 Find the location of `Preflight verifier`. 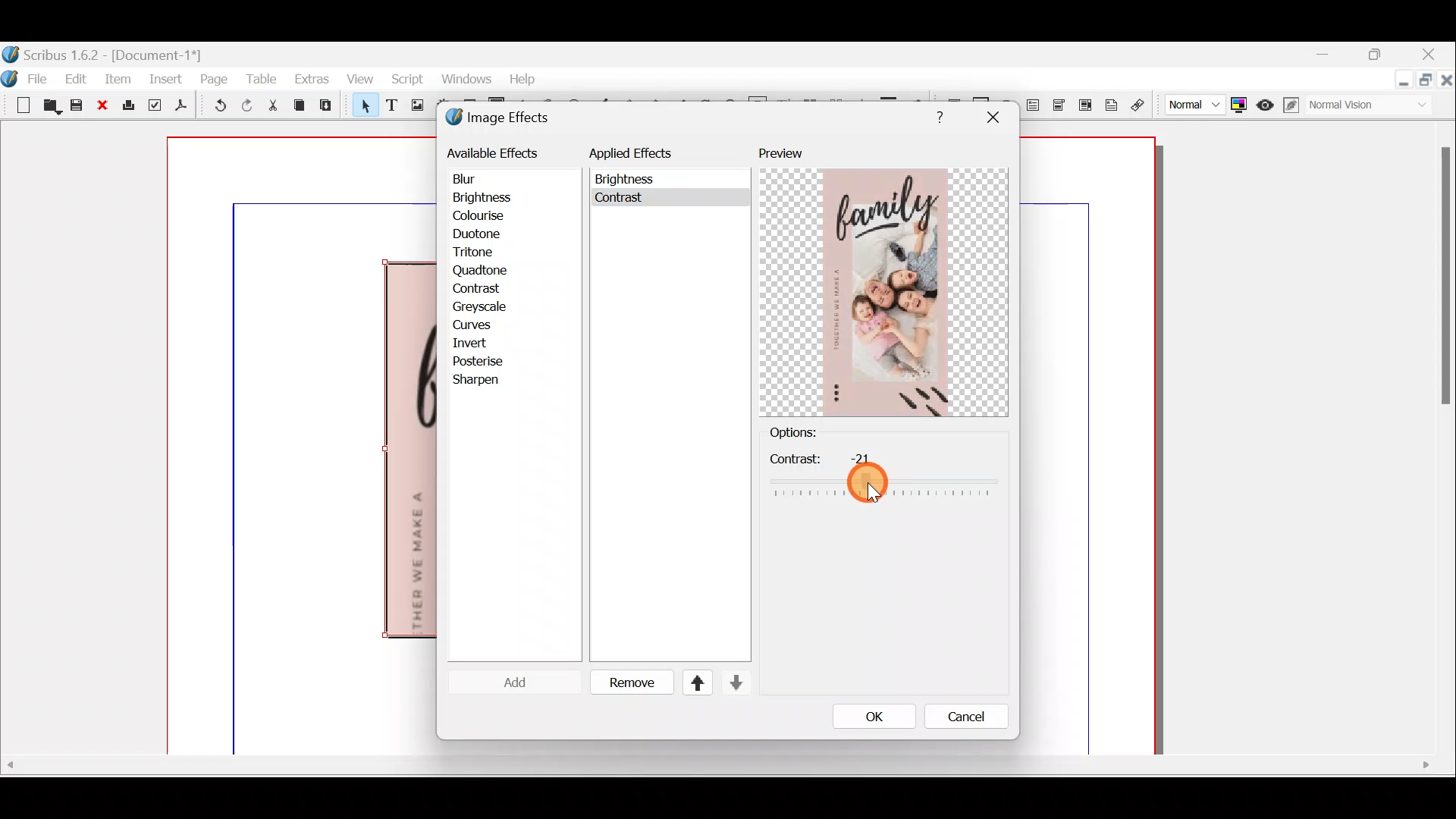

Preflight verifier is located at coordinates (155, 108).